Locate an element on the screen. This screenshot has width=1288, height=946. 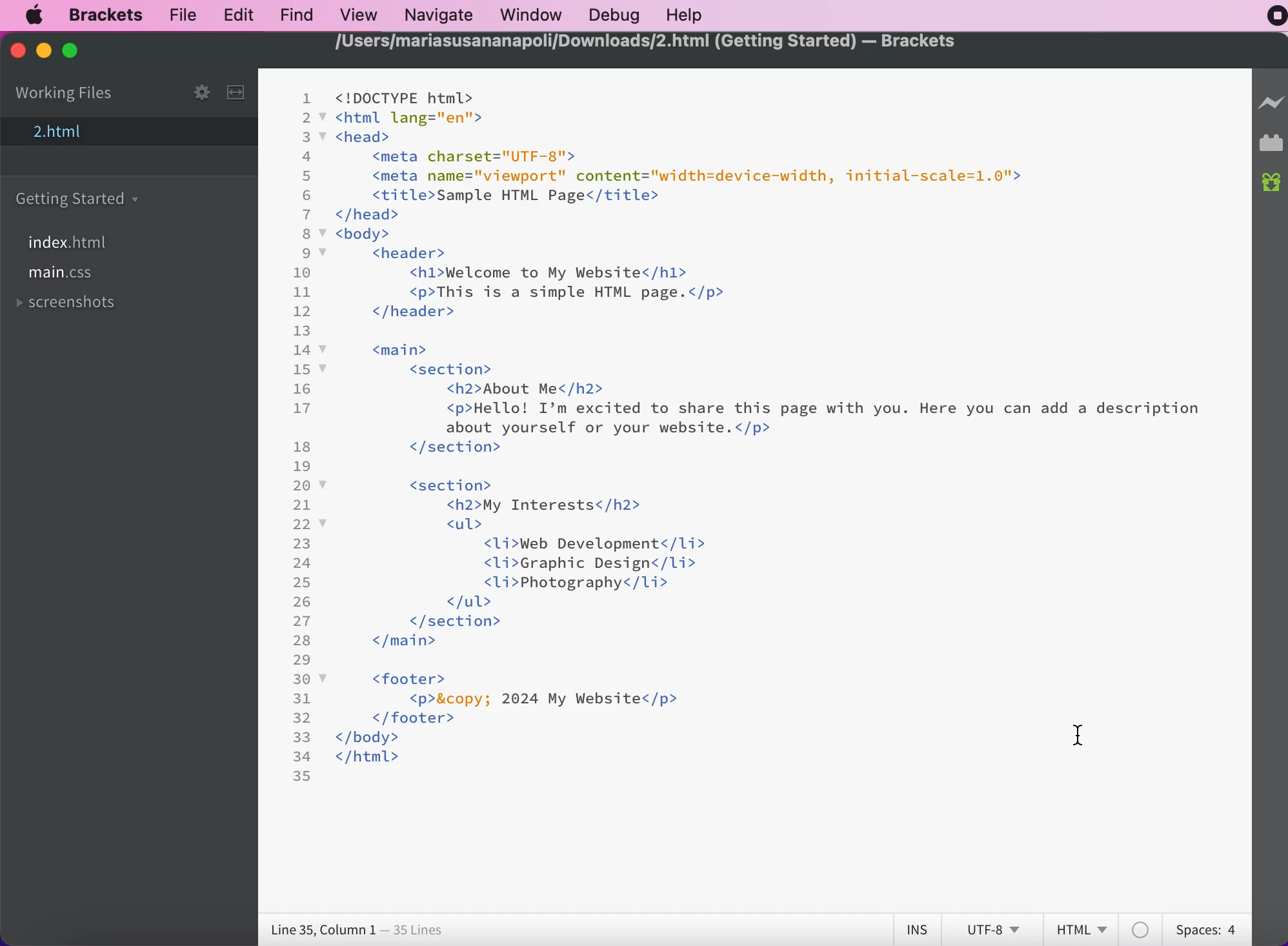
10 is located at coordinates (303, 272).